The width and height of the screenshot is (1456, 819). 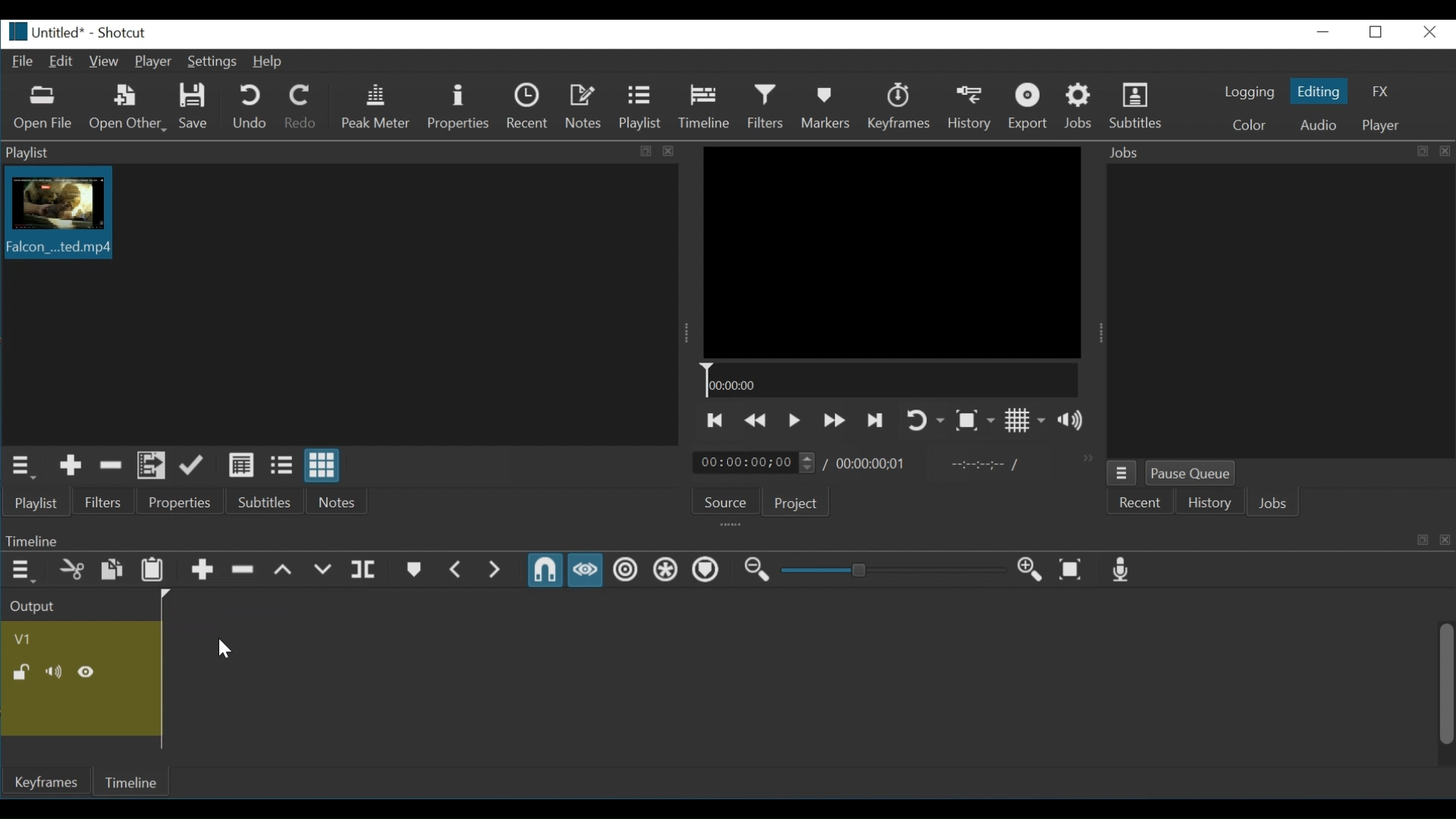 I want to click on View, so click(x=103, y=62).